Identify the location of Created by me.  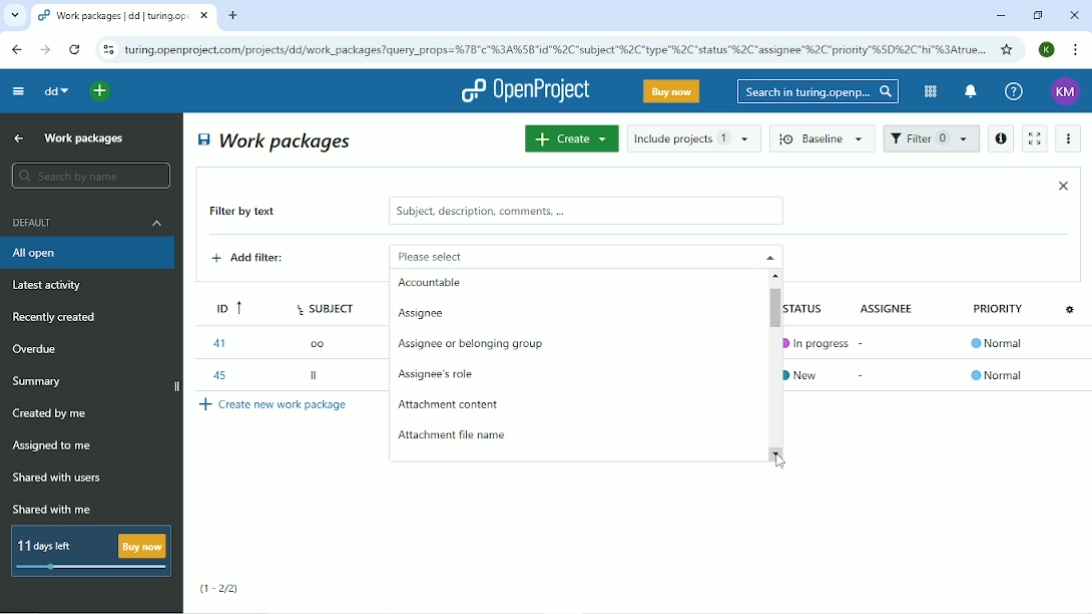
(53, 414).